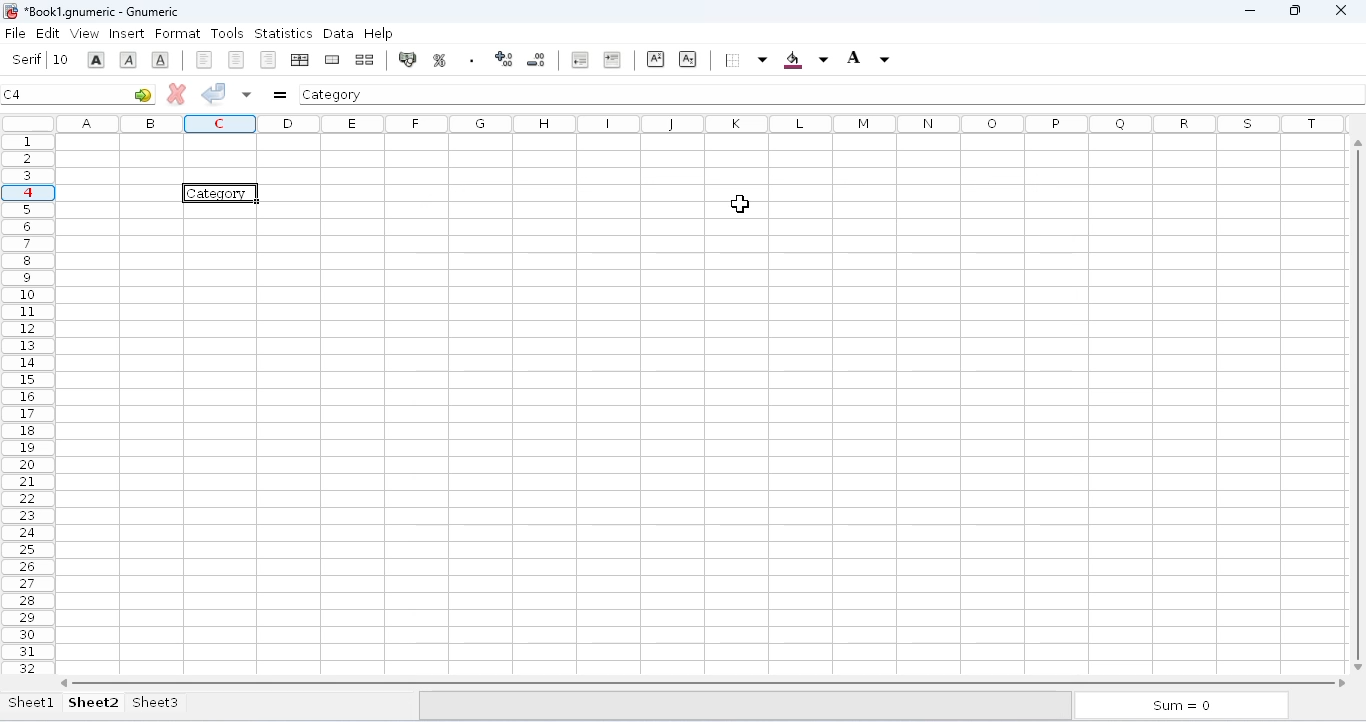 Image resolution: width=1366 pixels, height=722 pixels. I want to click on view, so click(85, 33).